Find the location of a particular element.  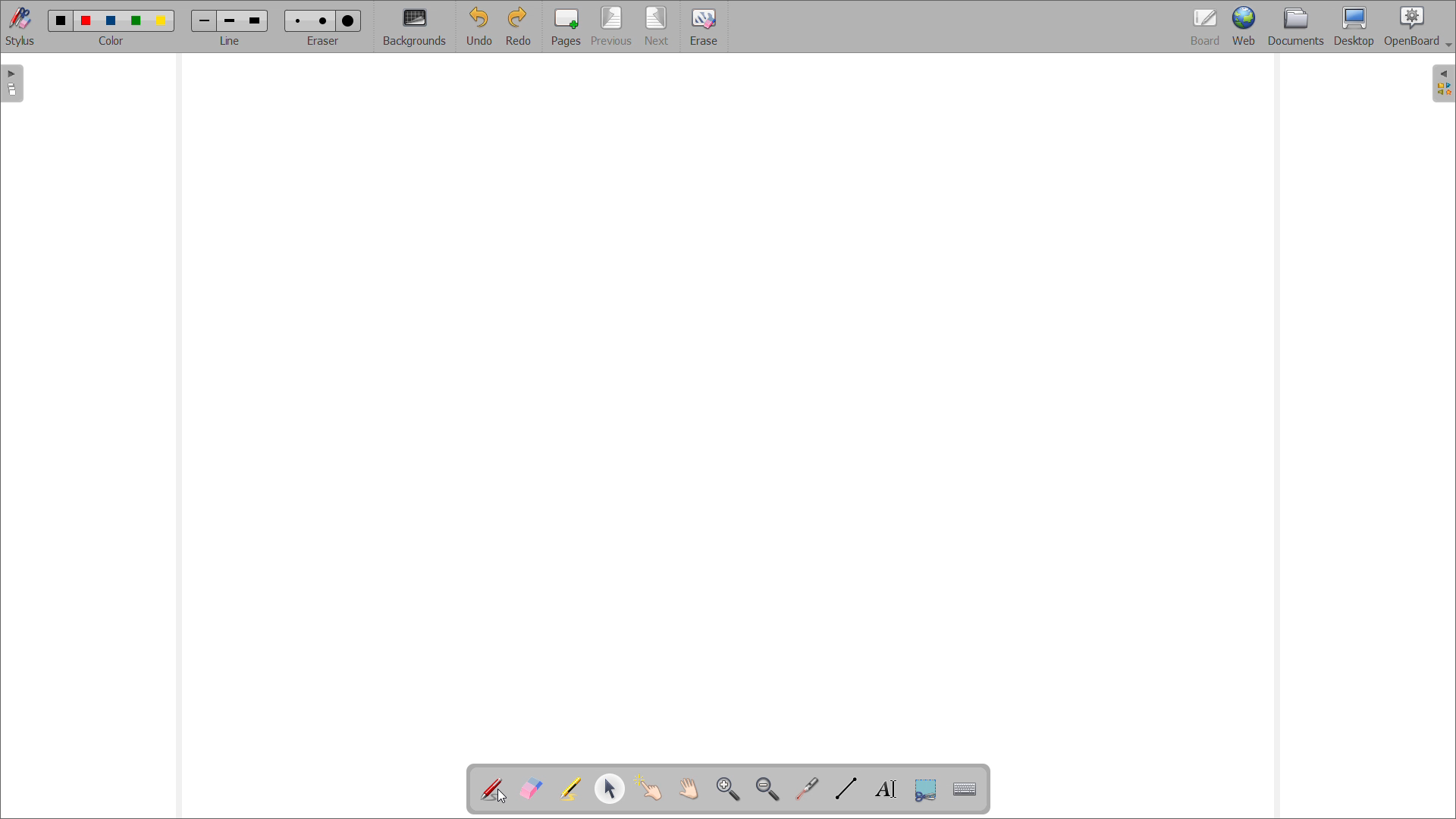

desktop is located at coordinates (1354, 27).